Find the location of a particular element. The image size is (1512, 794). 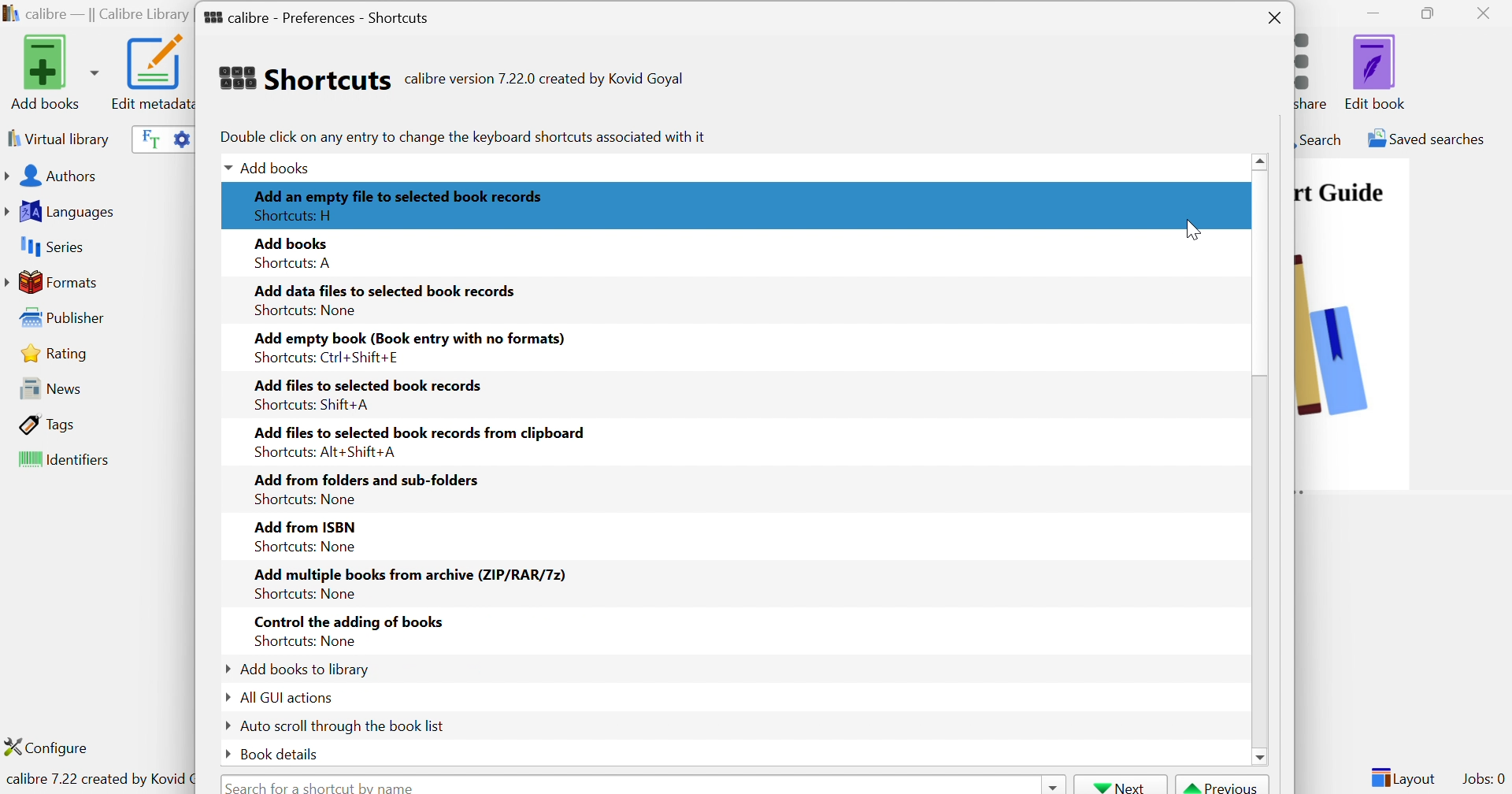

Edit book is located at coordinates (1376, 72).